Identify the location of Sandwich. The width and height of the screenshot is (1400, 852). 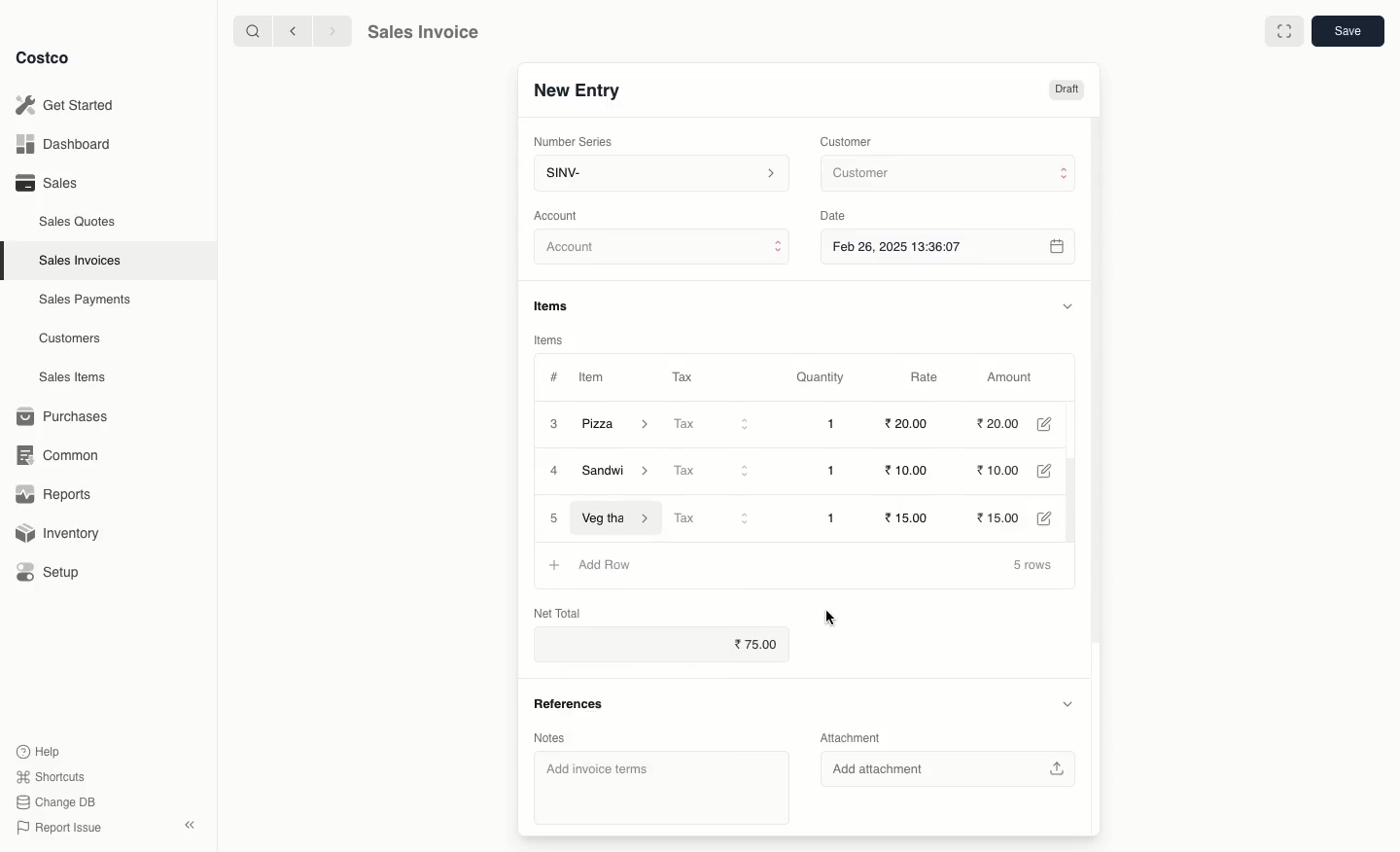
(621, 473).